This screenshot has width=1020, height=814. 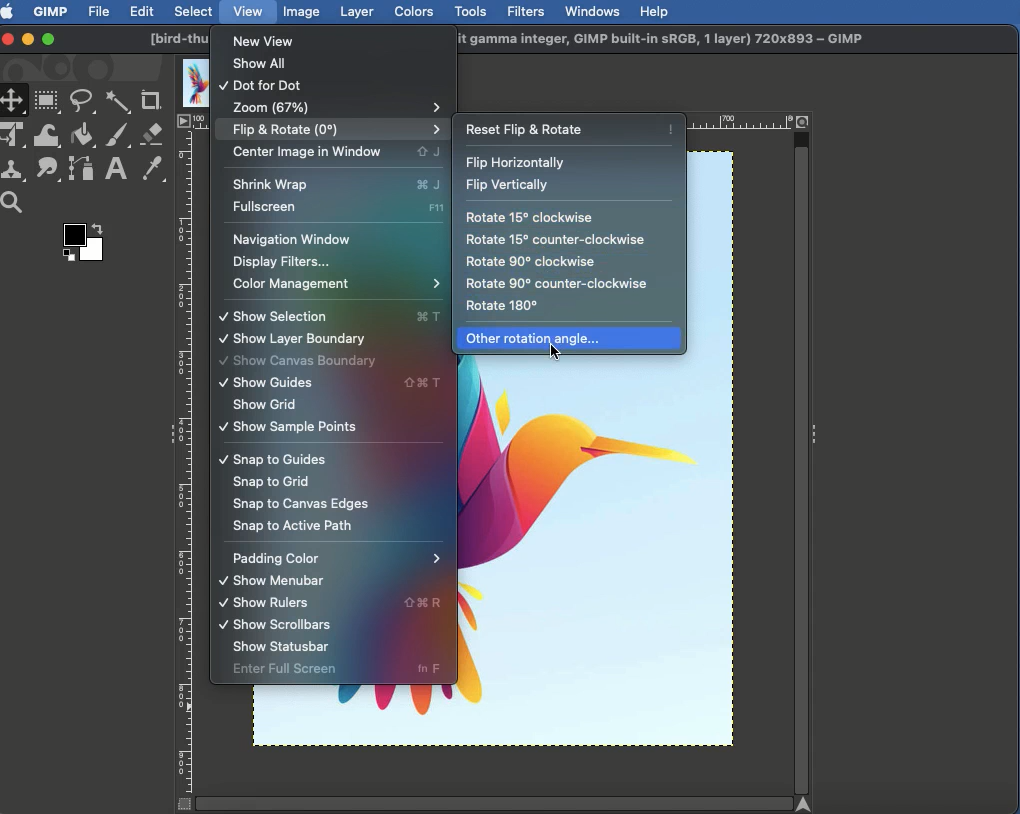 I want to click on Crop, so click(x=151, y=101).